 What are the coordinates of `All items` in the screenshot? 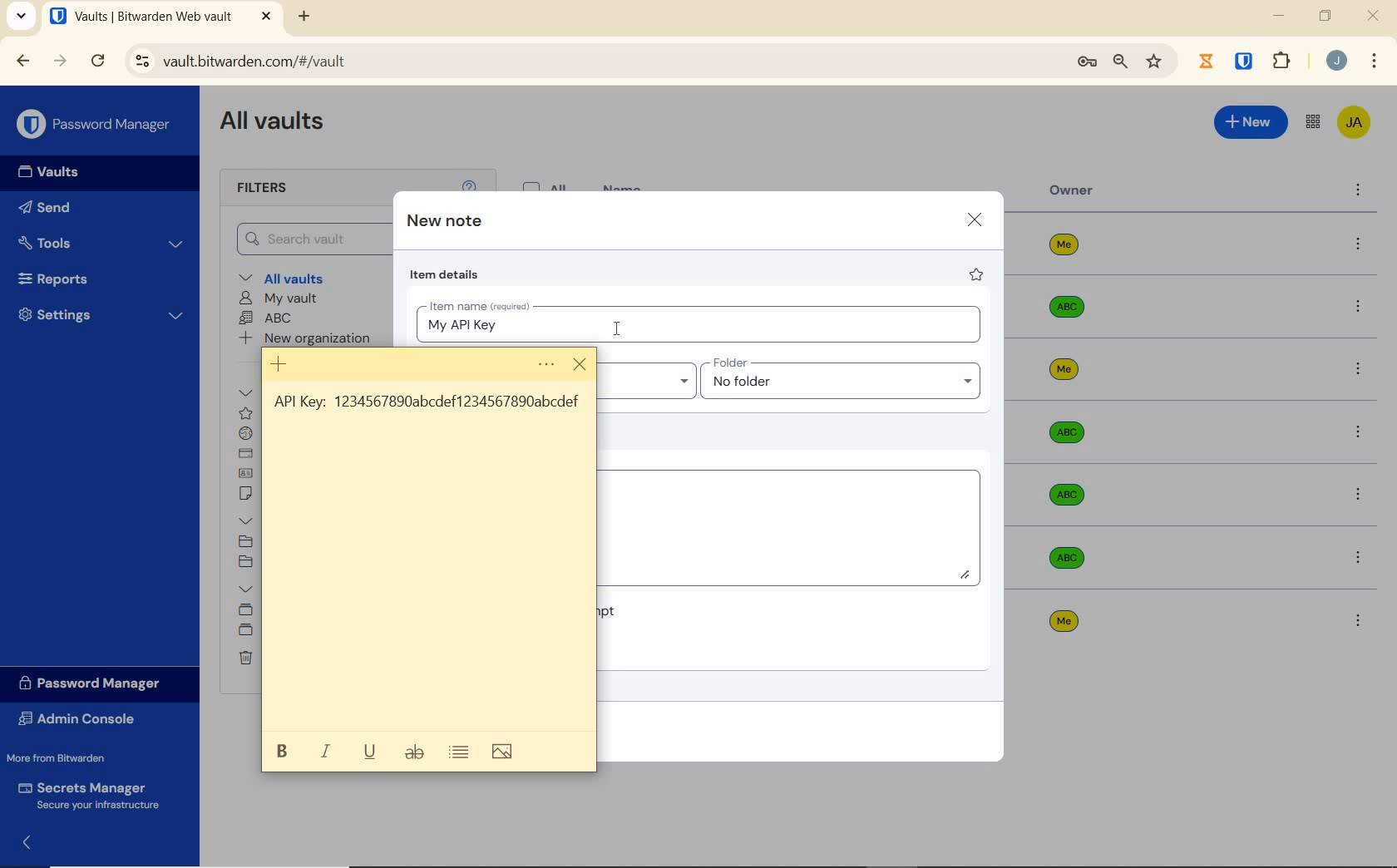 It's located at (248, 394).